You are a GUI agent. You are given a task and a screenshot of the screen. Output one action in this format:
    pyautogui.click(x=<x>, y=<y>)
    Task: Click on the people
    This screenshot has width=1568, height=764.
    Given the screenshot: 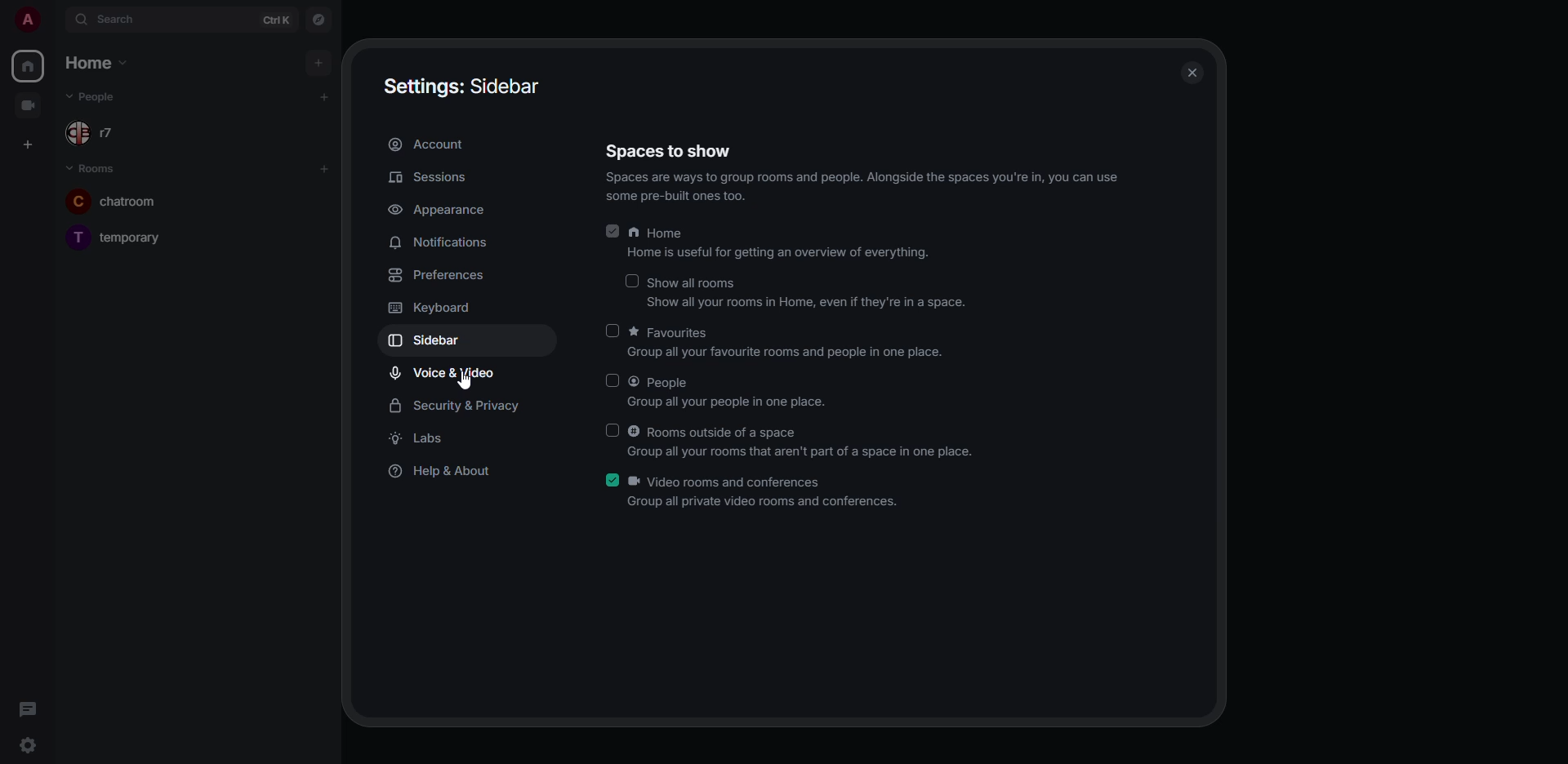 What is the action you would take?
    pyautogui.click(x=728, y=391)
    